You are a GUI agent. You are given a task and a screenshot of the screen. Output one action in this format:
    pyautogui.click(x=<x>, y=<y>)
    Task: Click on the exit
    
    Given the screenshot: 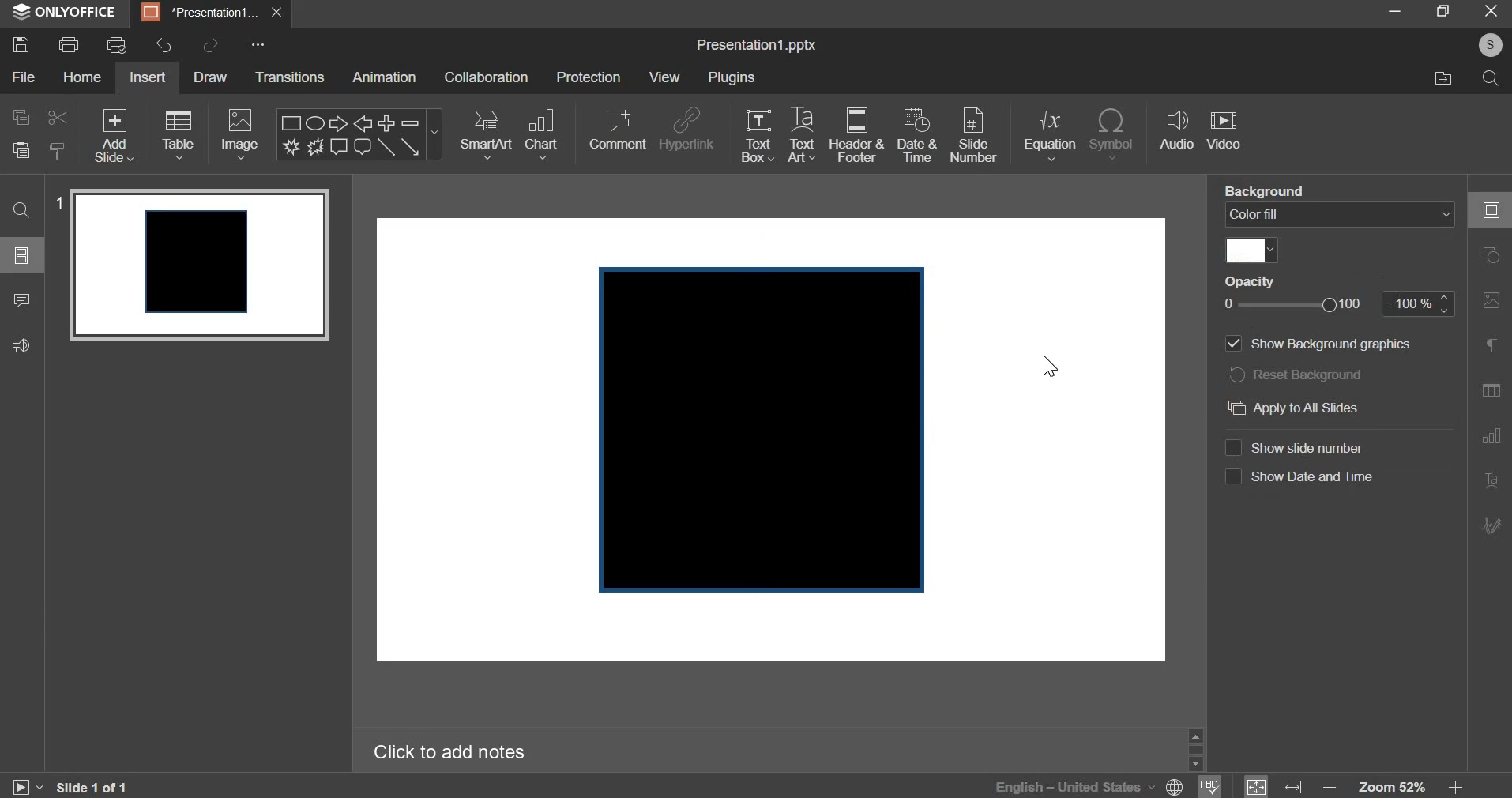 What is the action you would take?
    pyautogui.click(x=1489, y=13)
    